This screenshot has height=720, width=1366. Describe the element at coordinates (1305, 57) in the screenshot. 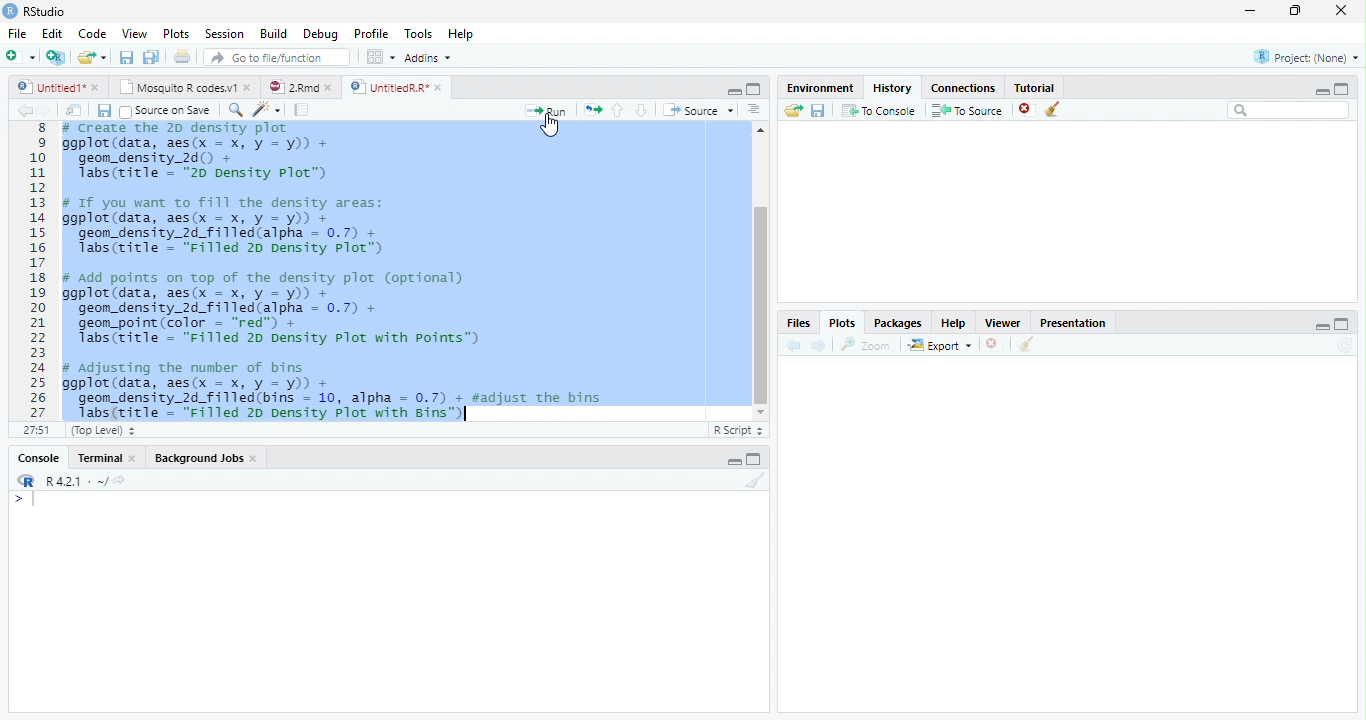

I see `Project: (None)` at that location.